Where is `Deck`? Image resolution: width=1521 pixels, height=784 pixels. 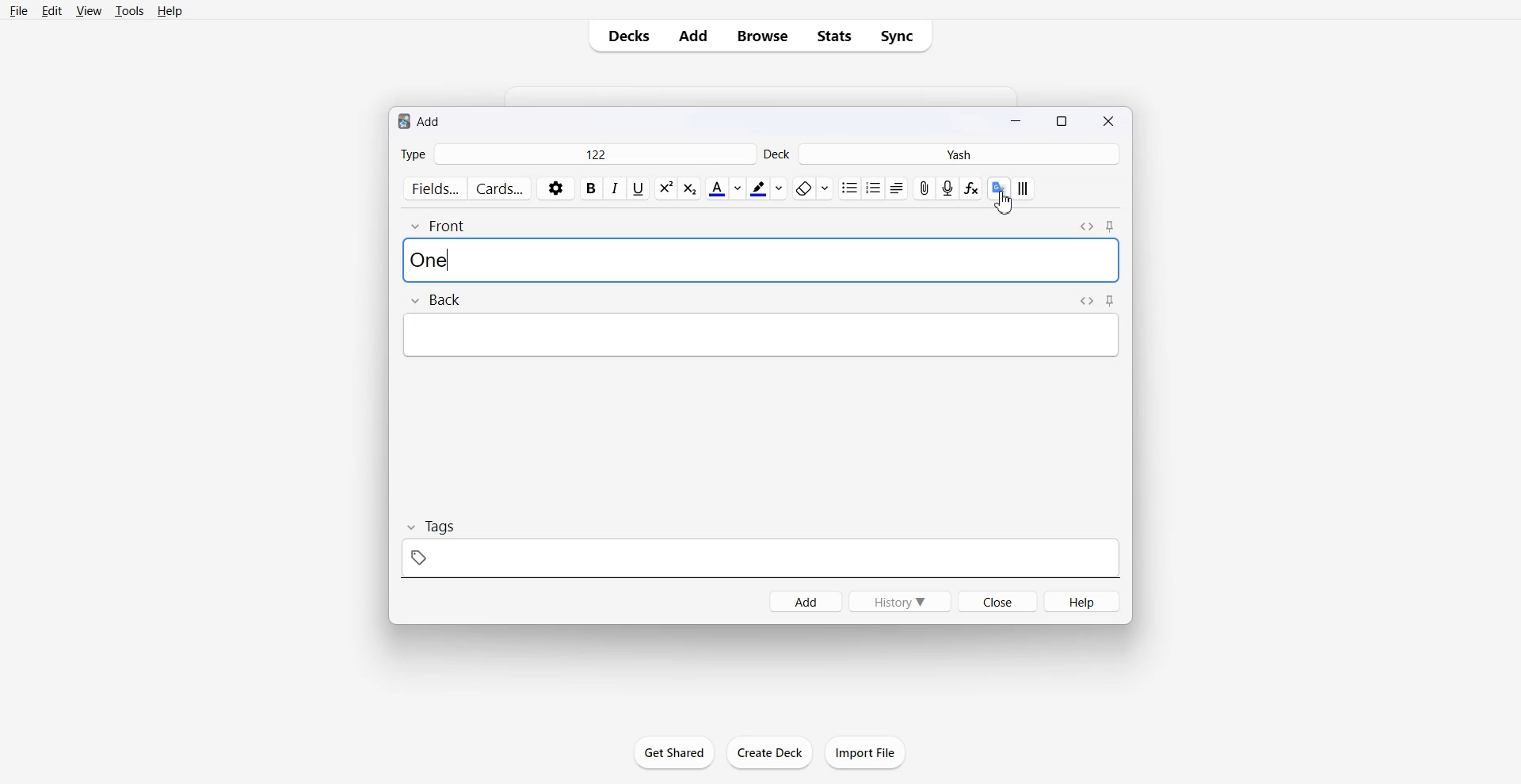 Deck is located at coordinates (779, 154).